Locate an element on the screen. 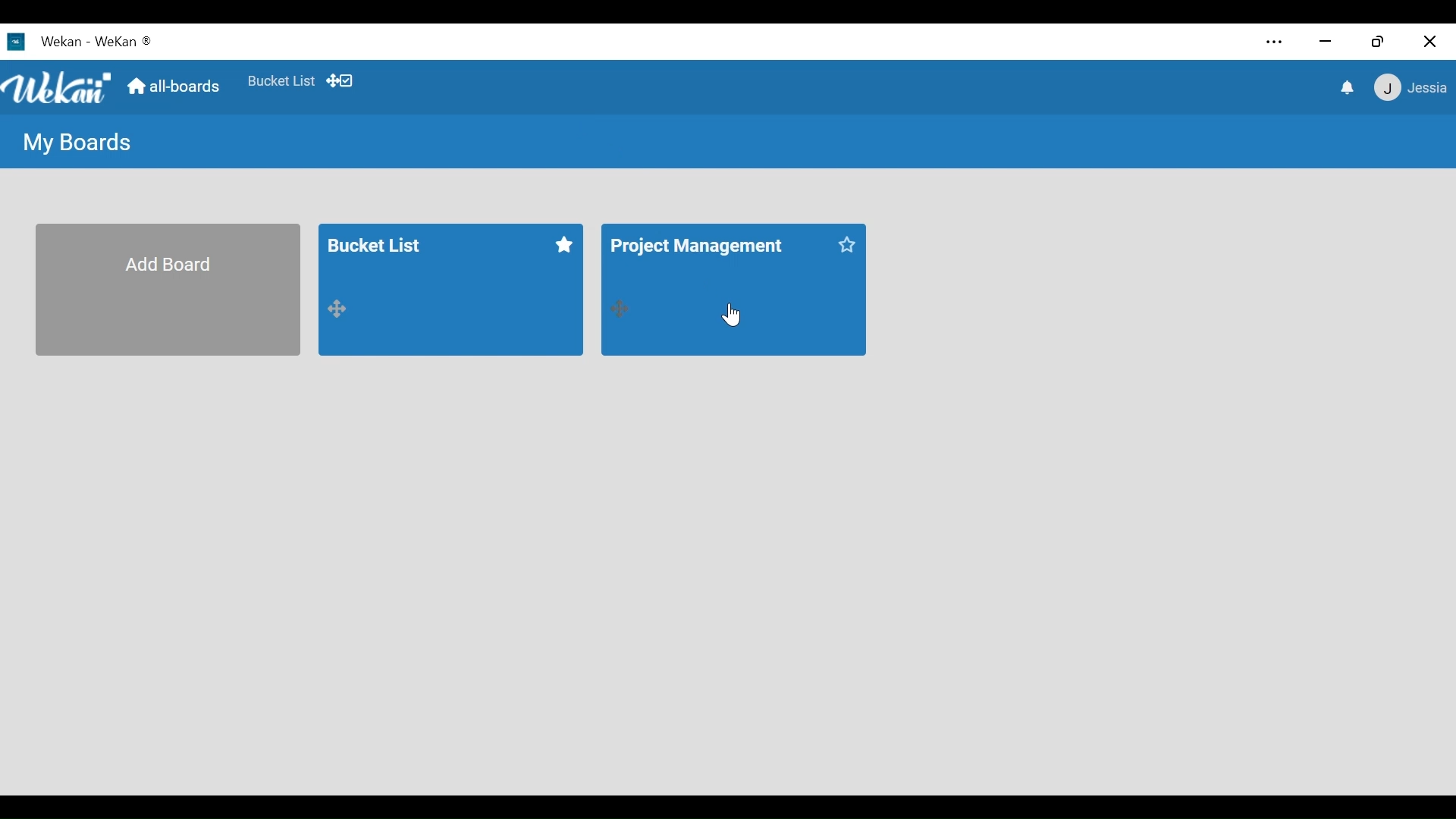  My Boards is located at coordinates (74, 142).